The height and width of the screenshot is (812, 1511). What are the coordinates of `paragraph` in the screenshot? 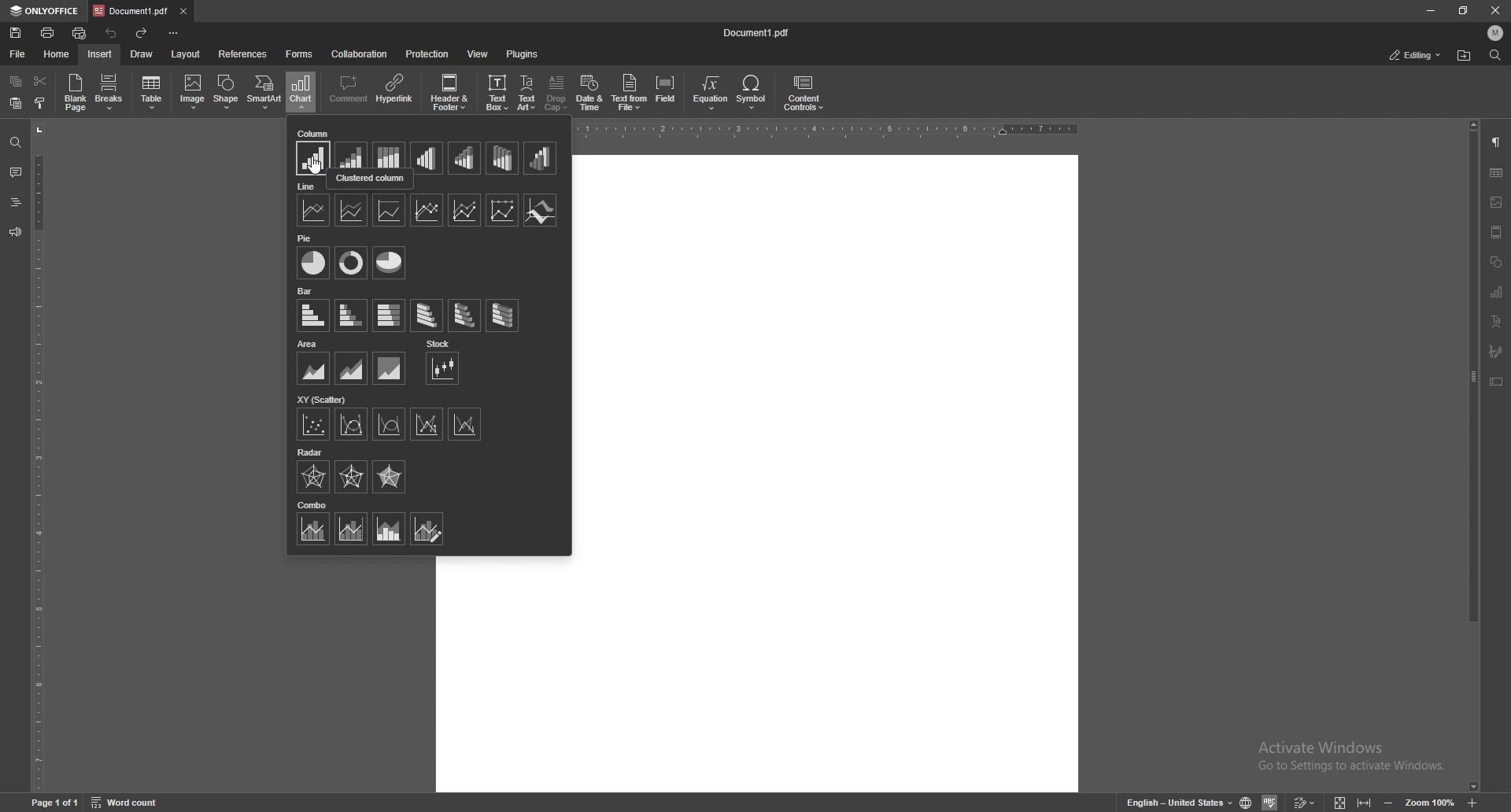 It's located at (1498, 141).